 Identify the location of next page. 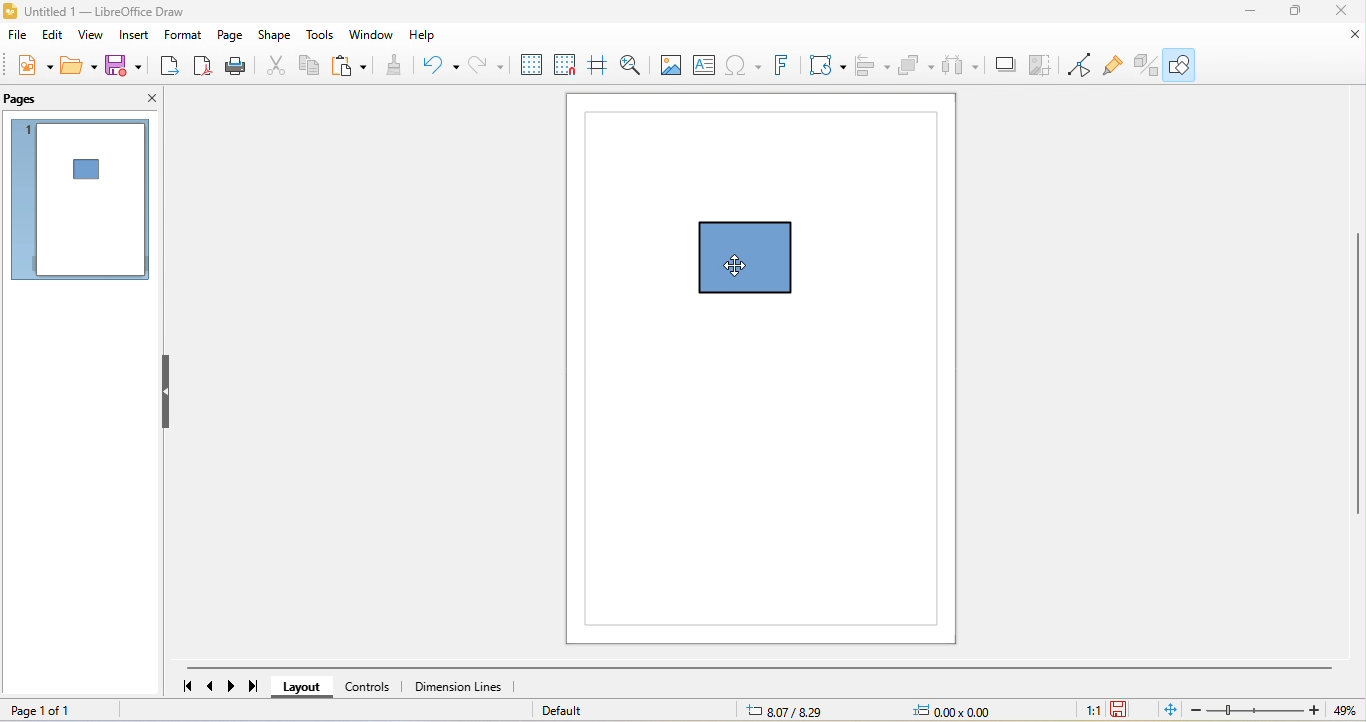
(235, 686).